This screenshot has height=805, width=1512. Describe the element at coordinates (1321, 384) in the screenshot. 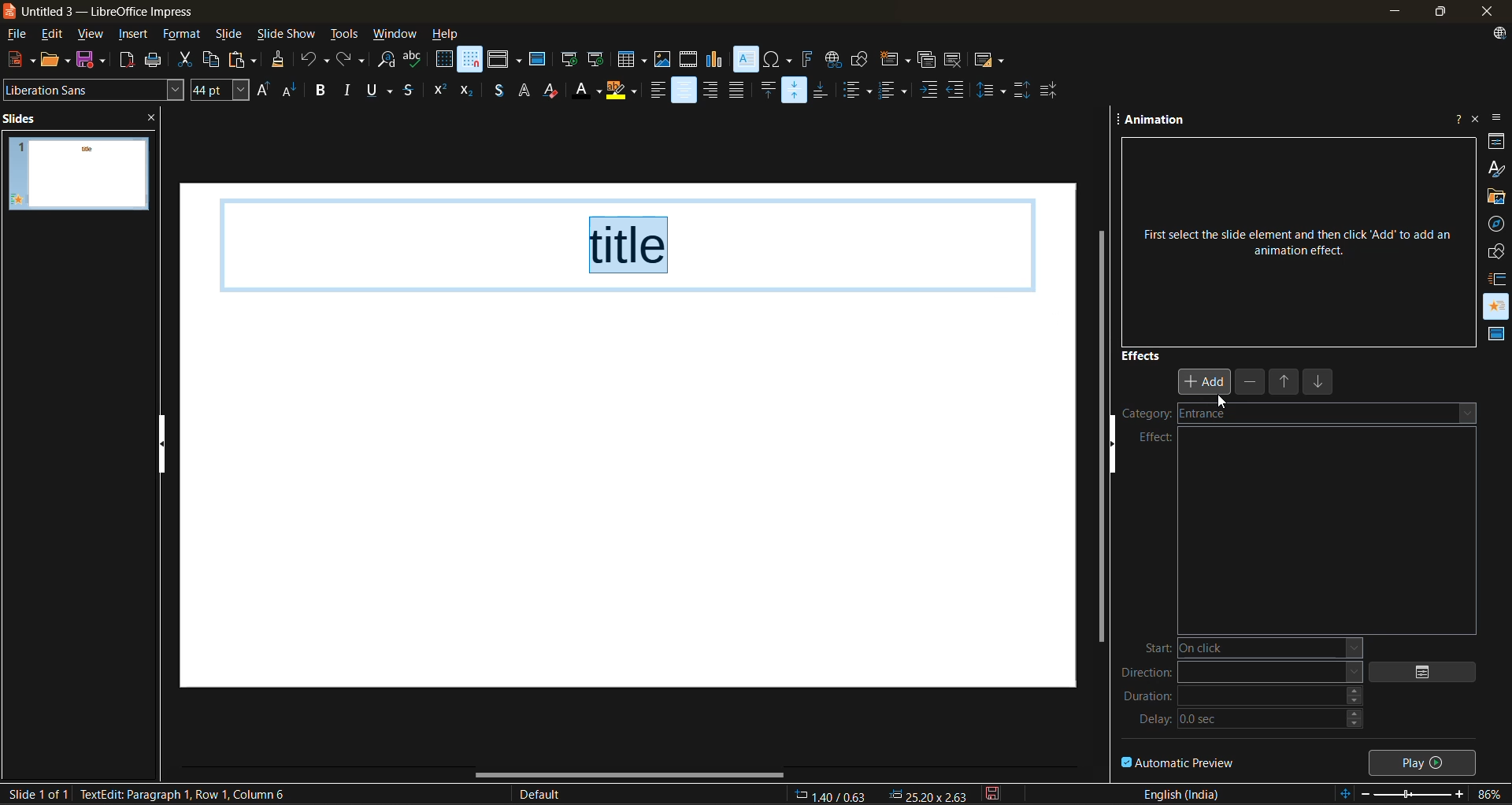

I see `move down` at that location.